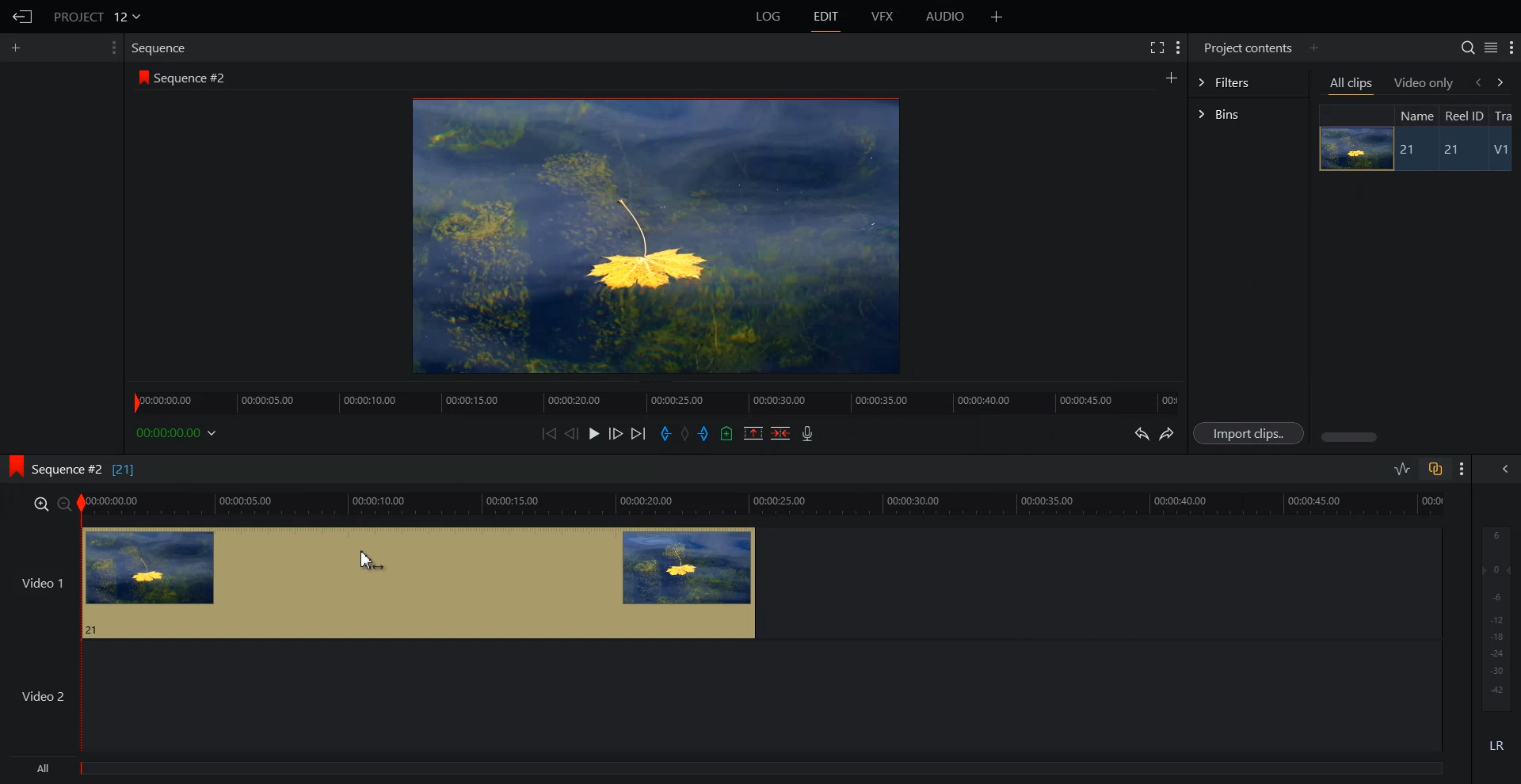  Describe the element at coordinates (727, 433) in the screenshot. I see `Add an Cue in current position` at that location.